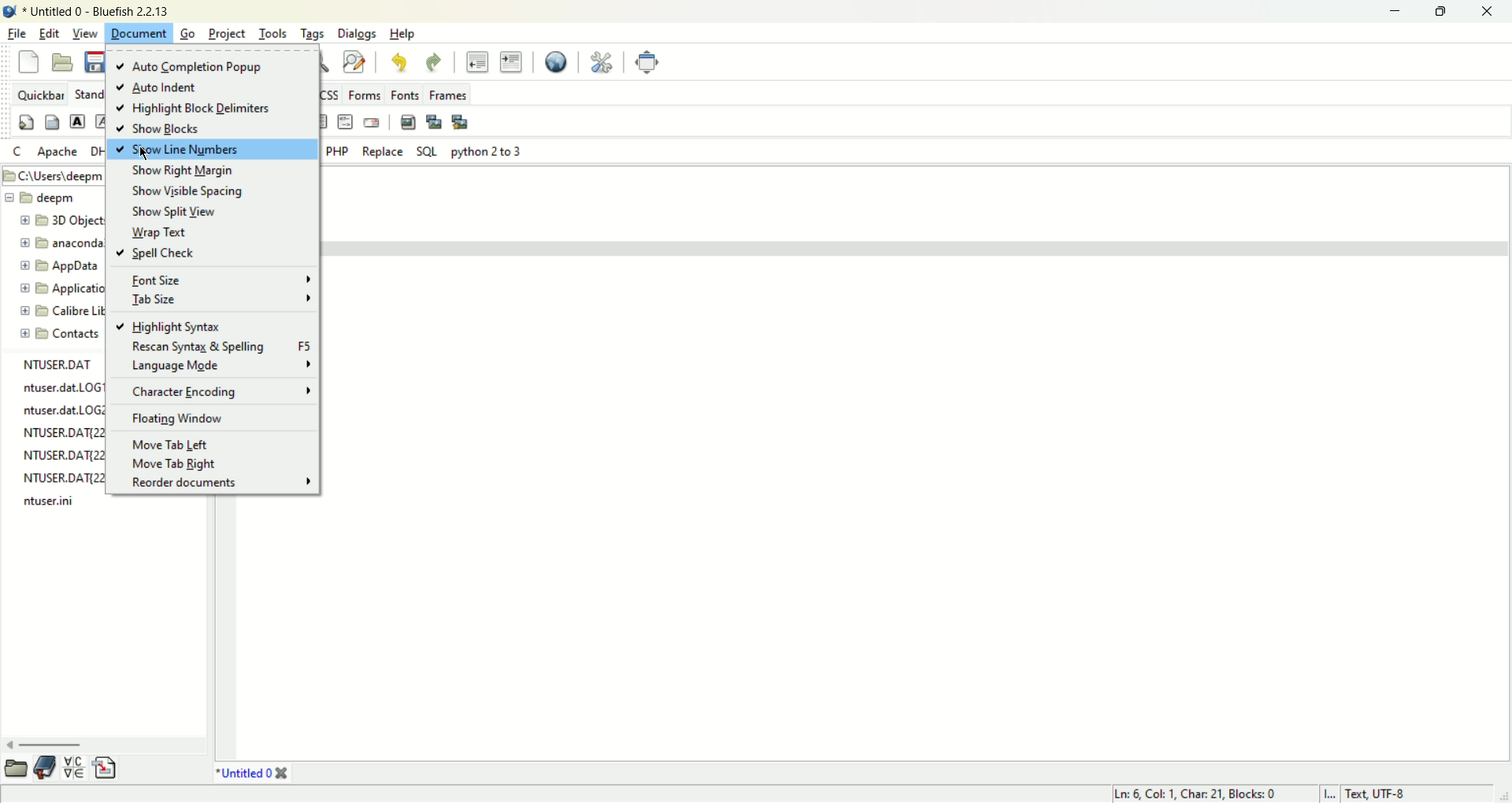  What do you see at coordinates (16, 152) in the screenshot?
I see `C` at bounding box center [16, 152].